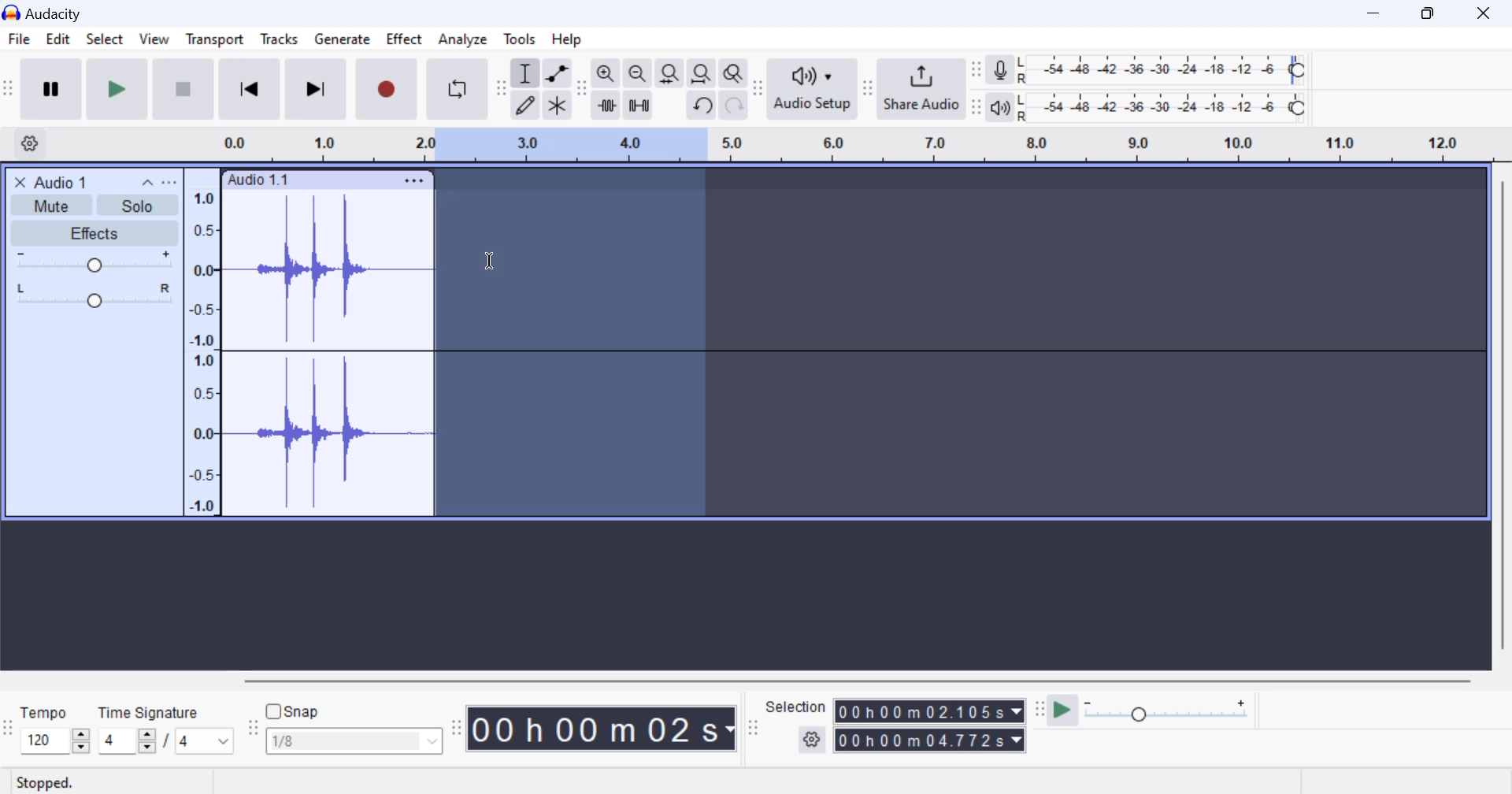 This screenshot has height=794, width=1512. I want to click on redo, so click(734, 106).